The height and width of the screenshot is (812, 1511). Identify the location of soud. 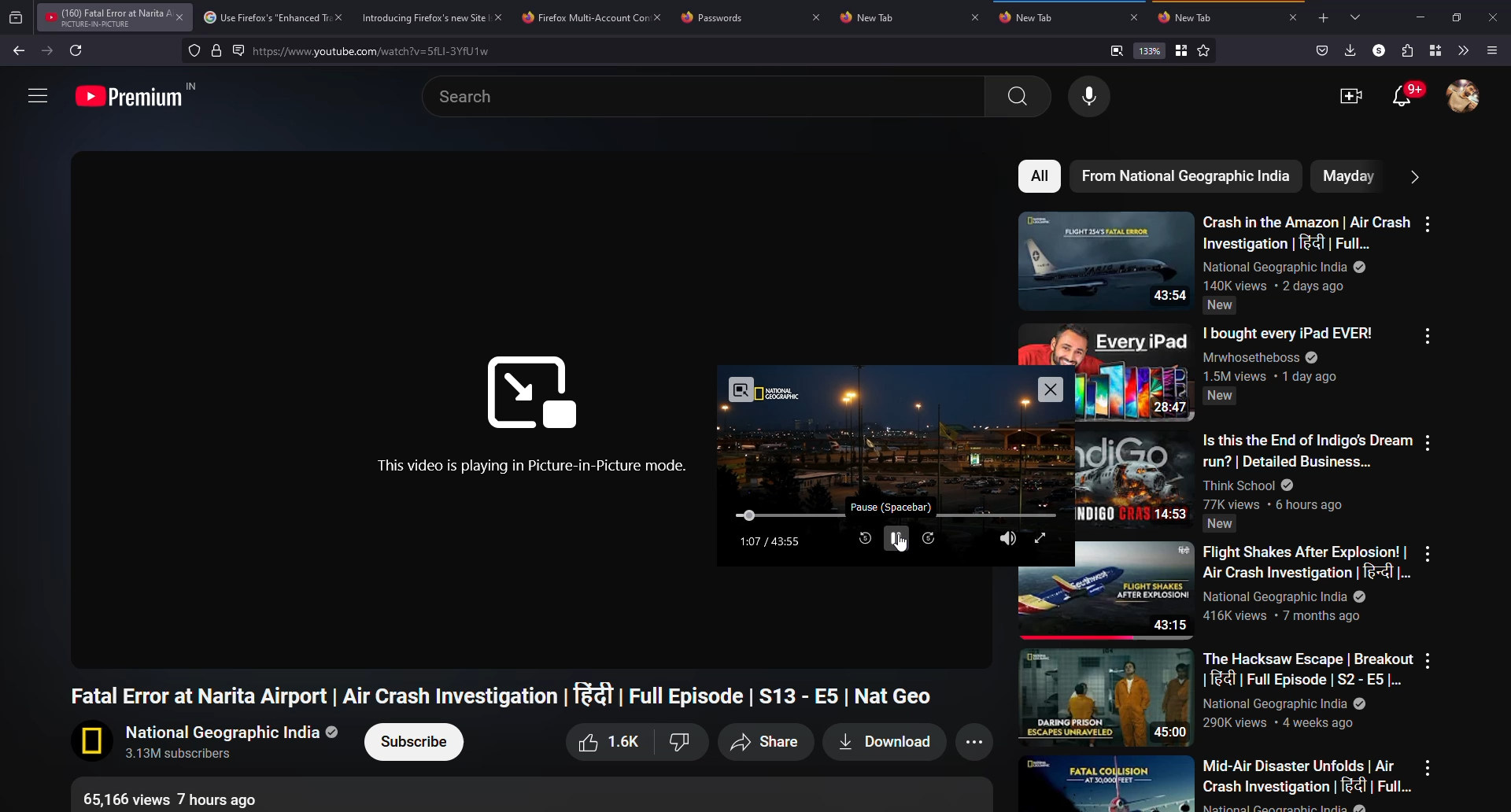
(1007, 538).